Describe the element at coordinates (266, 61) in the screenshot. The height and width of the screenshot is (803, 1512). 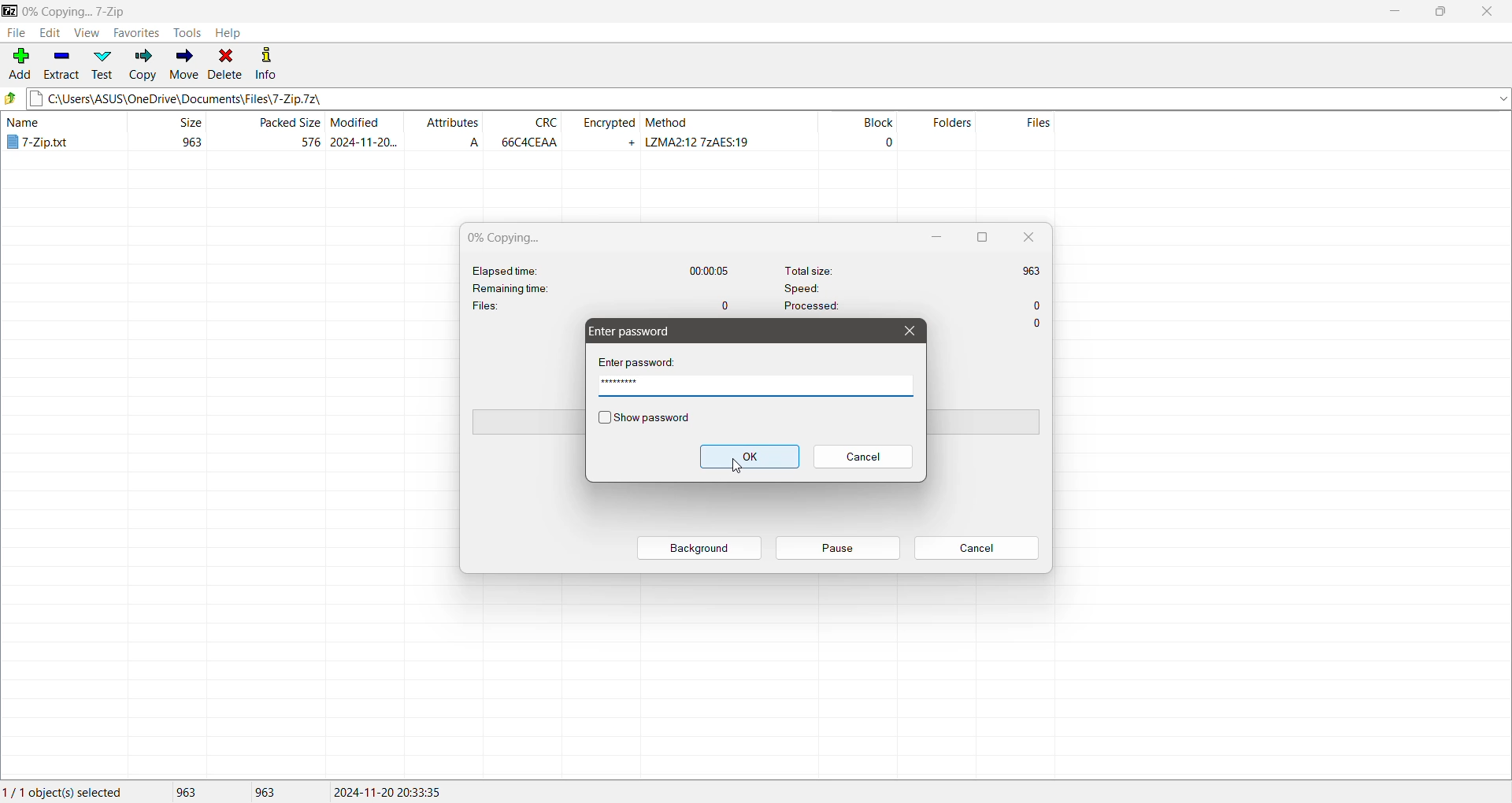
I see `Info` at that location.